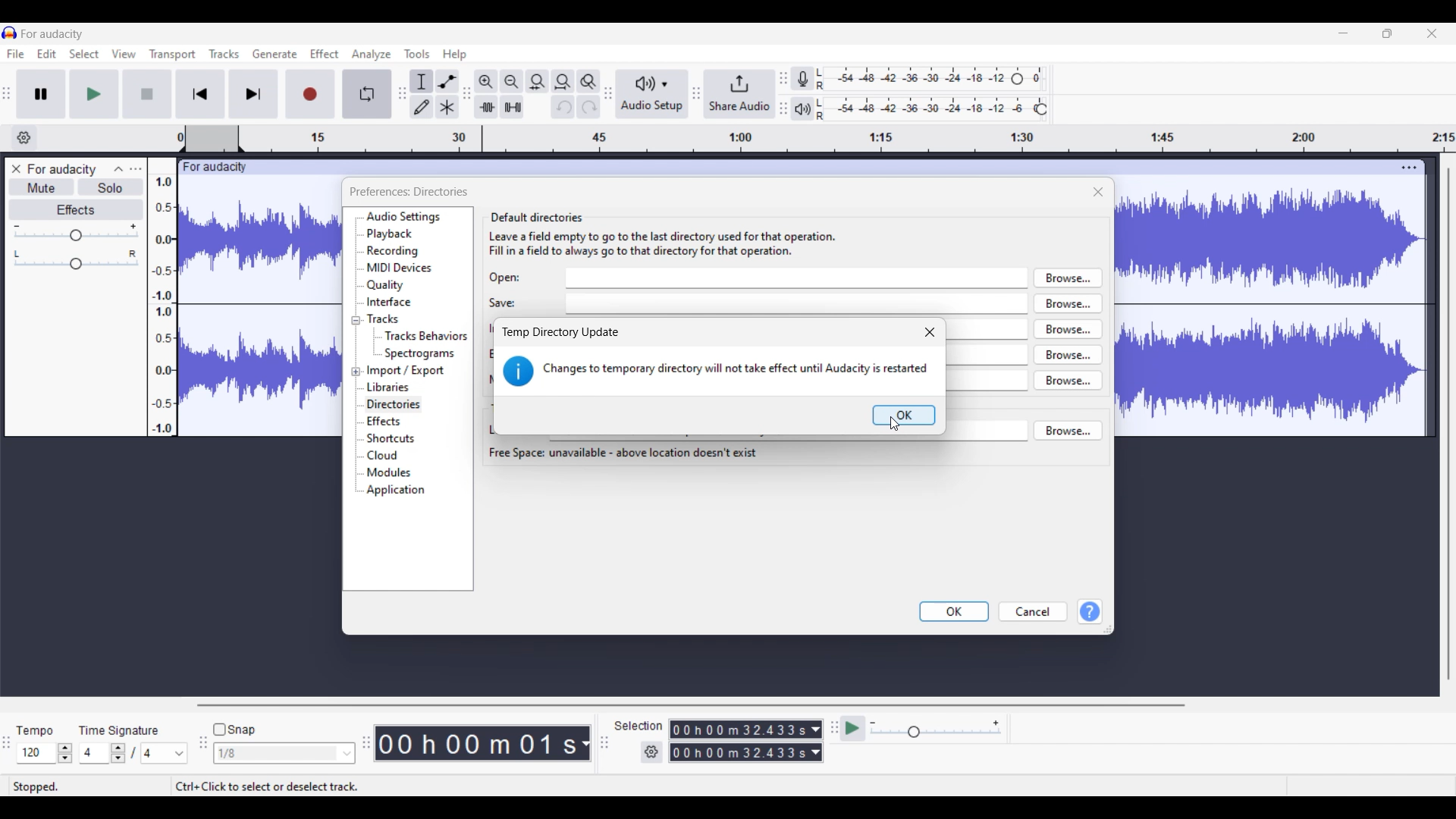  Describe the element at coordinates (1042, 109) in the screenshot. I see `Header to change playback level` at that location.